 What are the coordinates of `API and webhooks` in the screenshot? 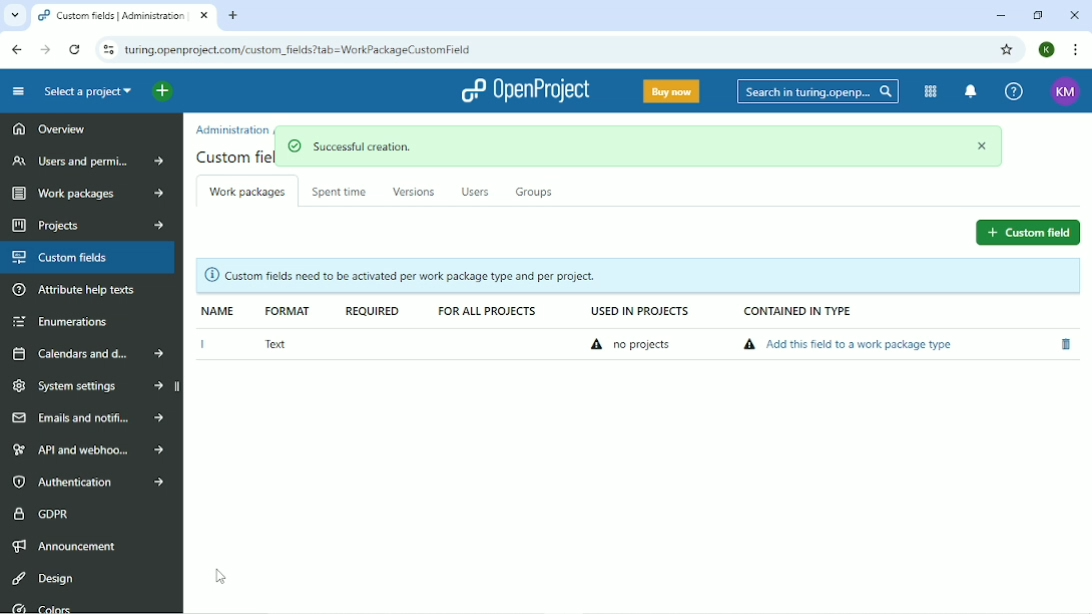 It's located at (90, 449).